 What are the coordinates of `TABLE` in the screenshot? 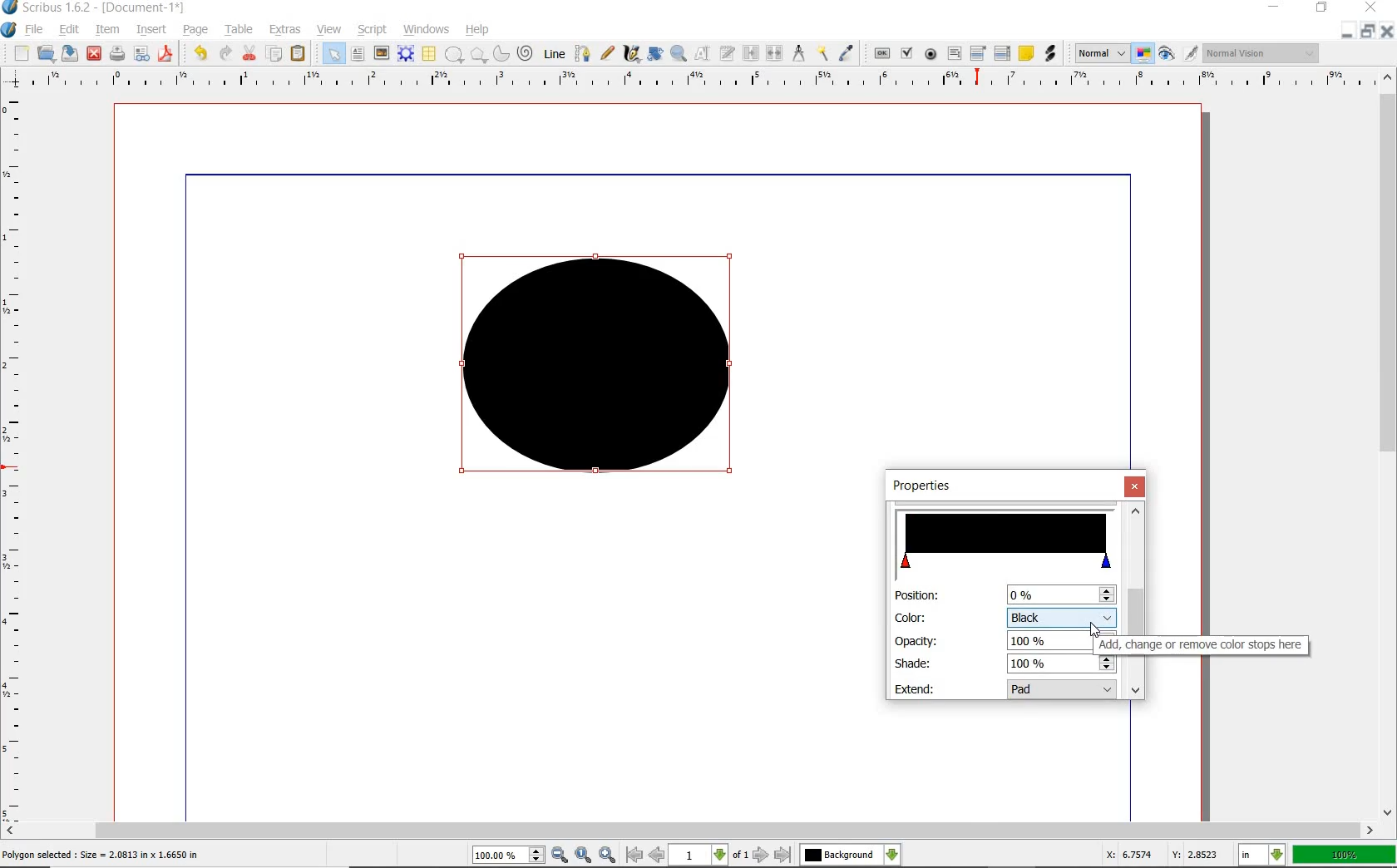 It's located at (239, 30).